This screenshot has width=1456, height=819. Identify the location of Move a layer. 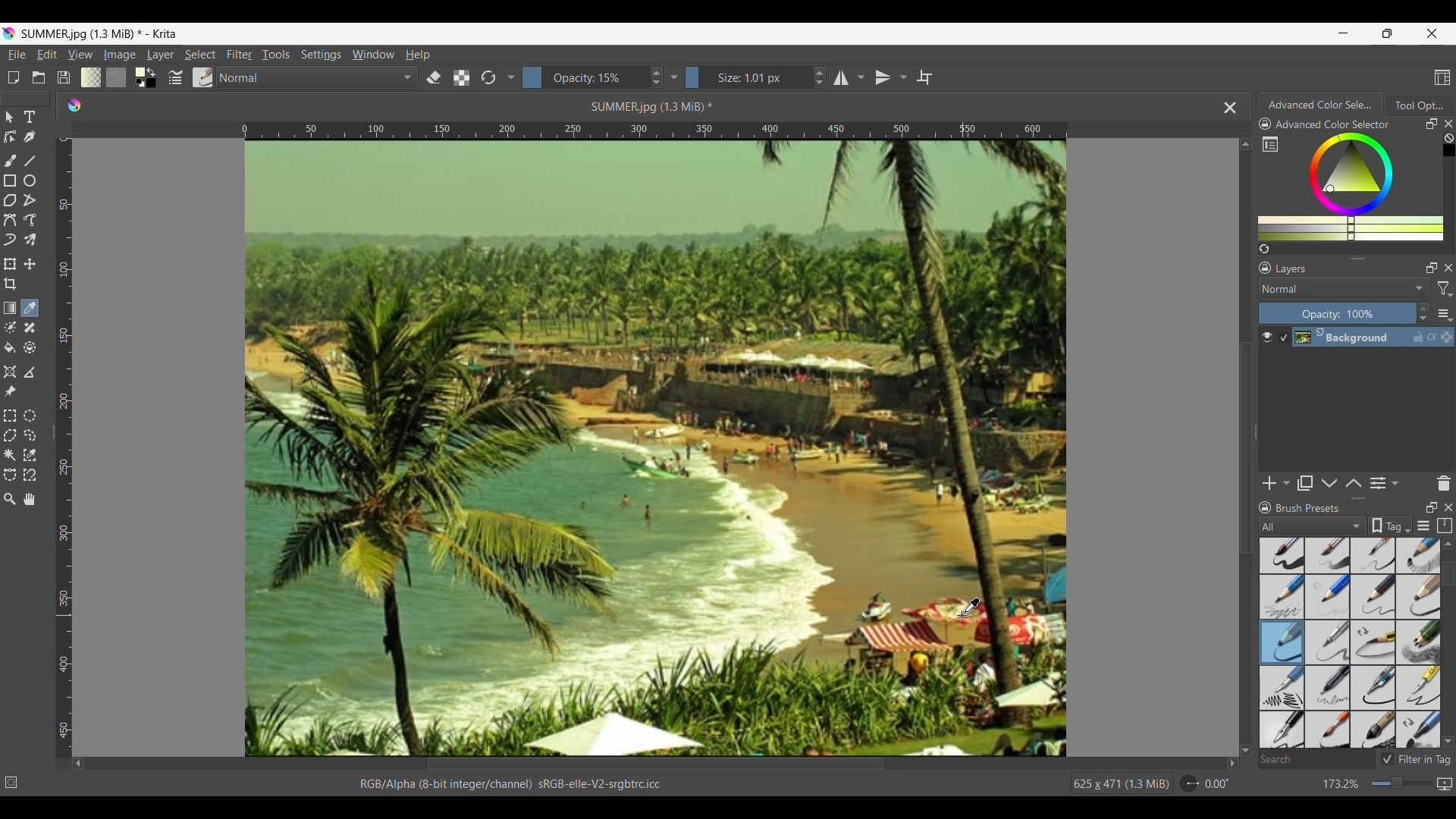
(29, 264).